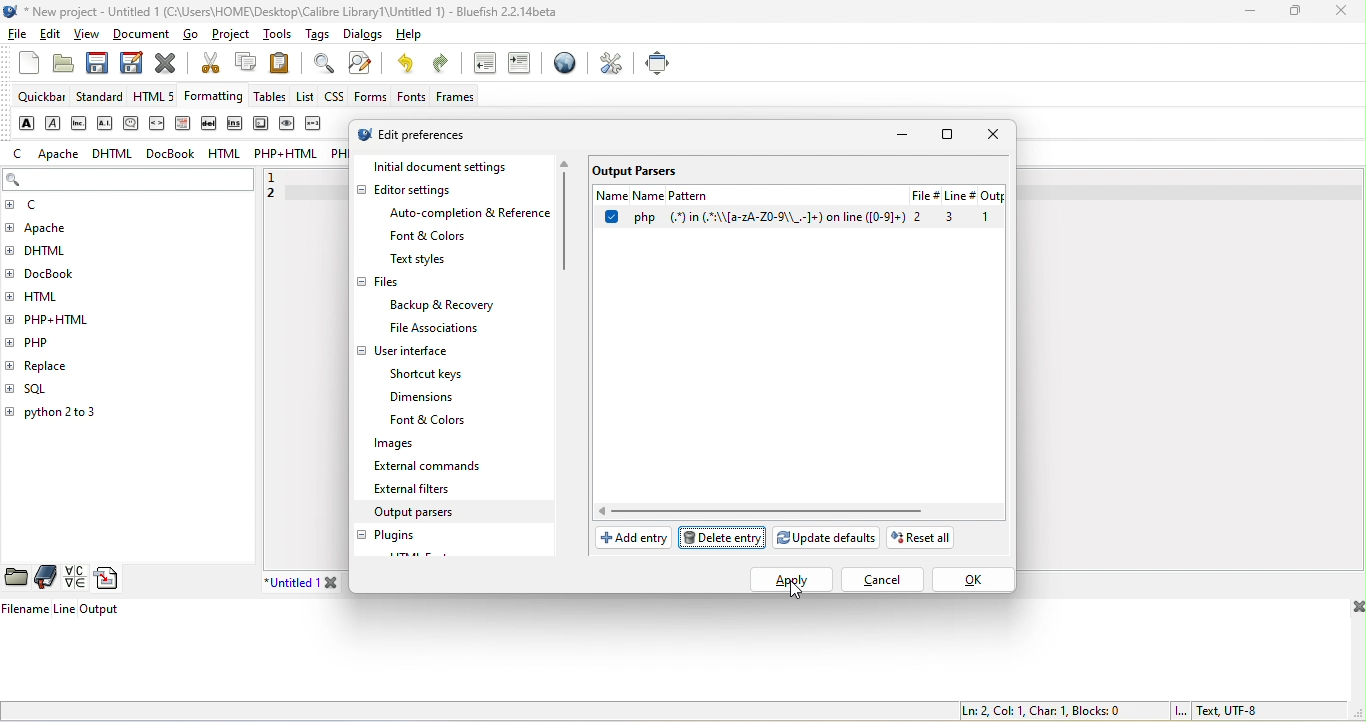 This screenshot has width=1366, height=722. I want to click on cut, so click(208, 65).